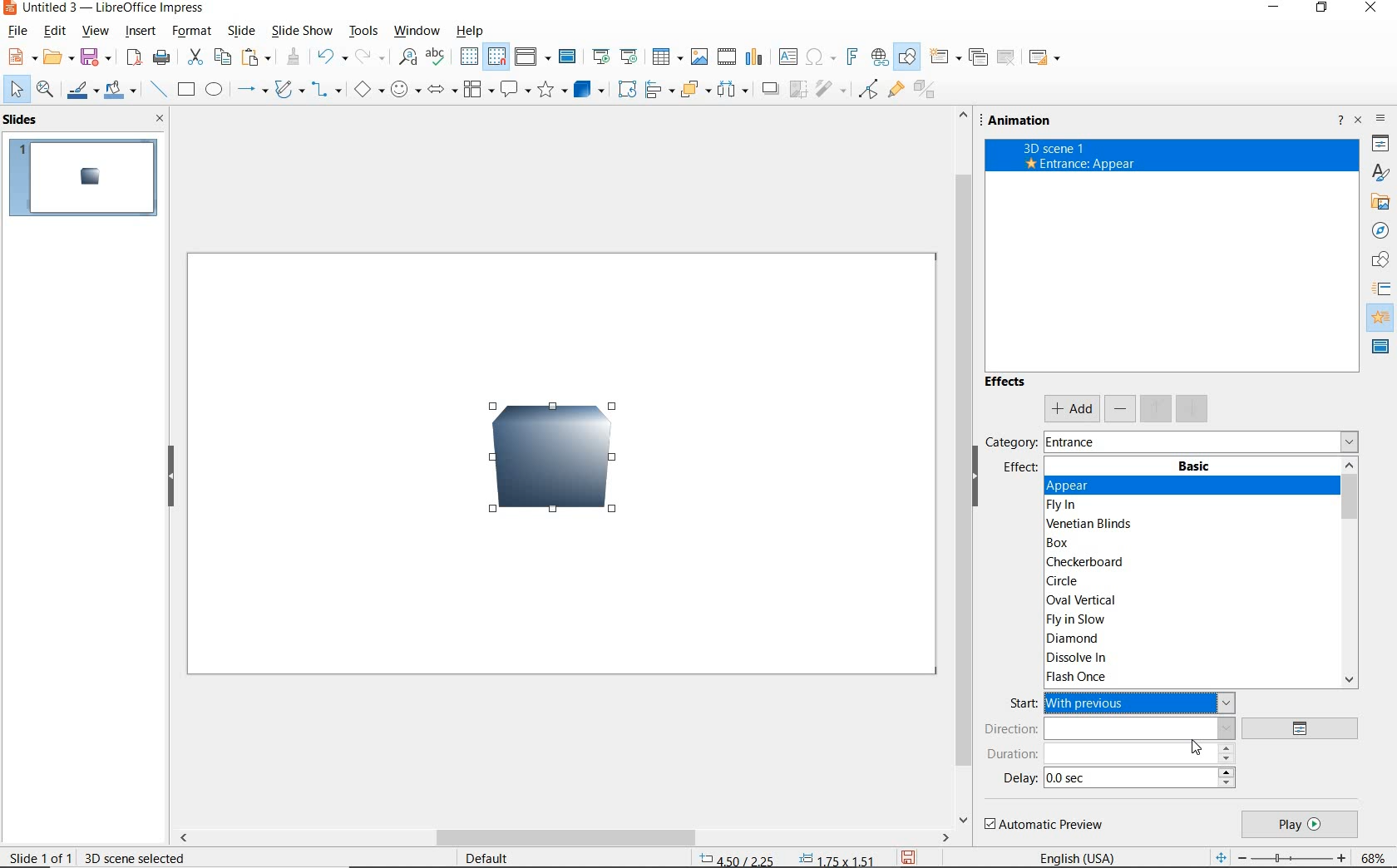 The image size is (1397, 868). I want to click on add, so click(1071, 409).